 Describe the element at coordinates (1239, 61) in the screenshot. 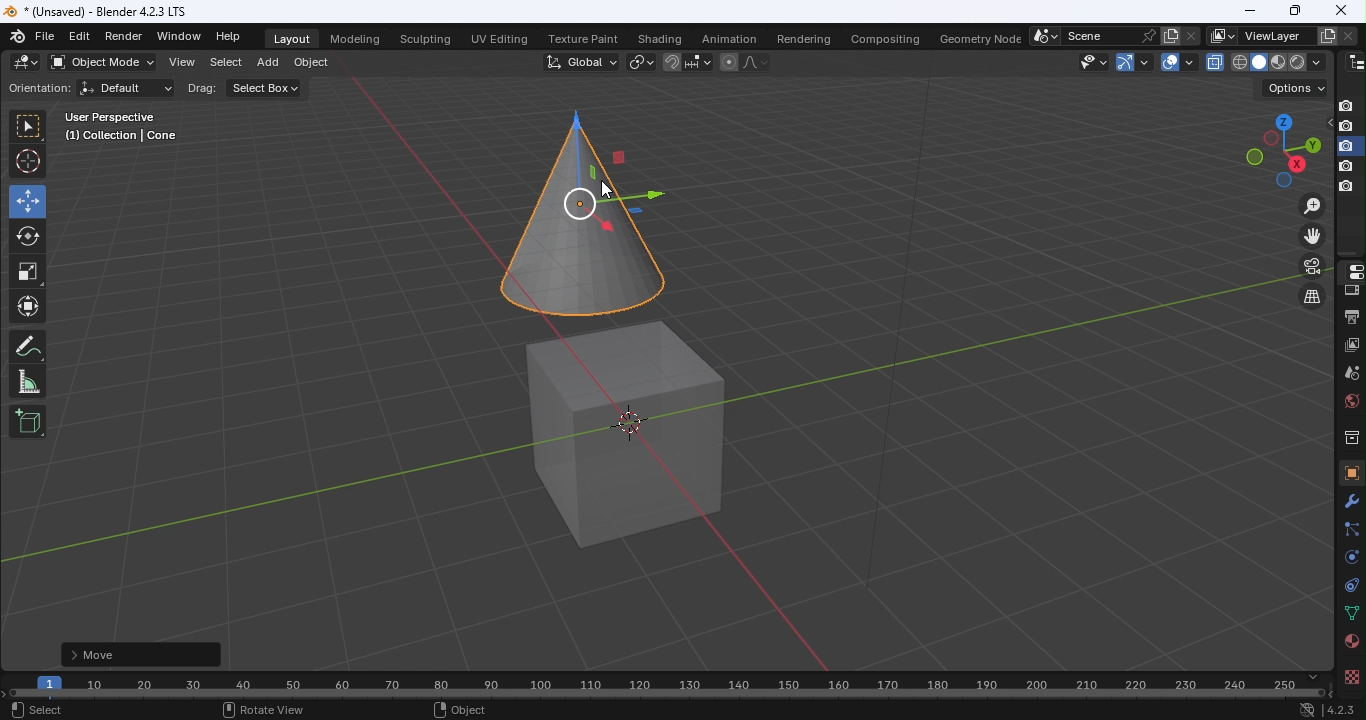

I see `viewpoint shader: wireframe` at that location.